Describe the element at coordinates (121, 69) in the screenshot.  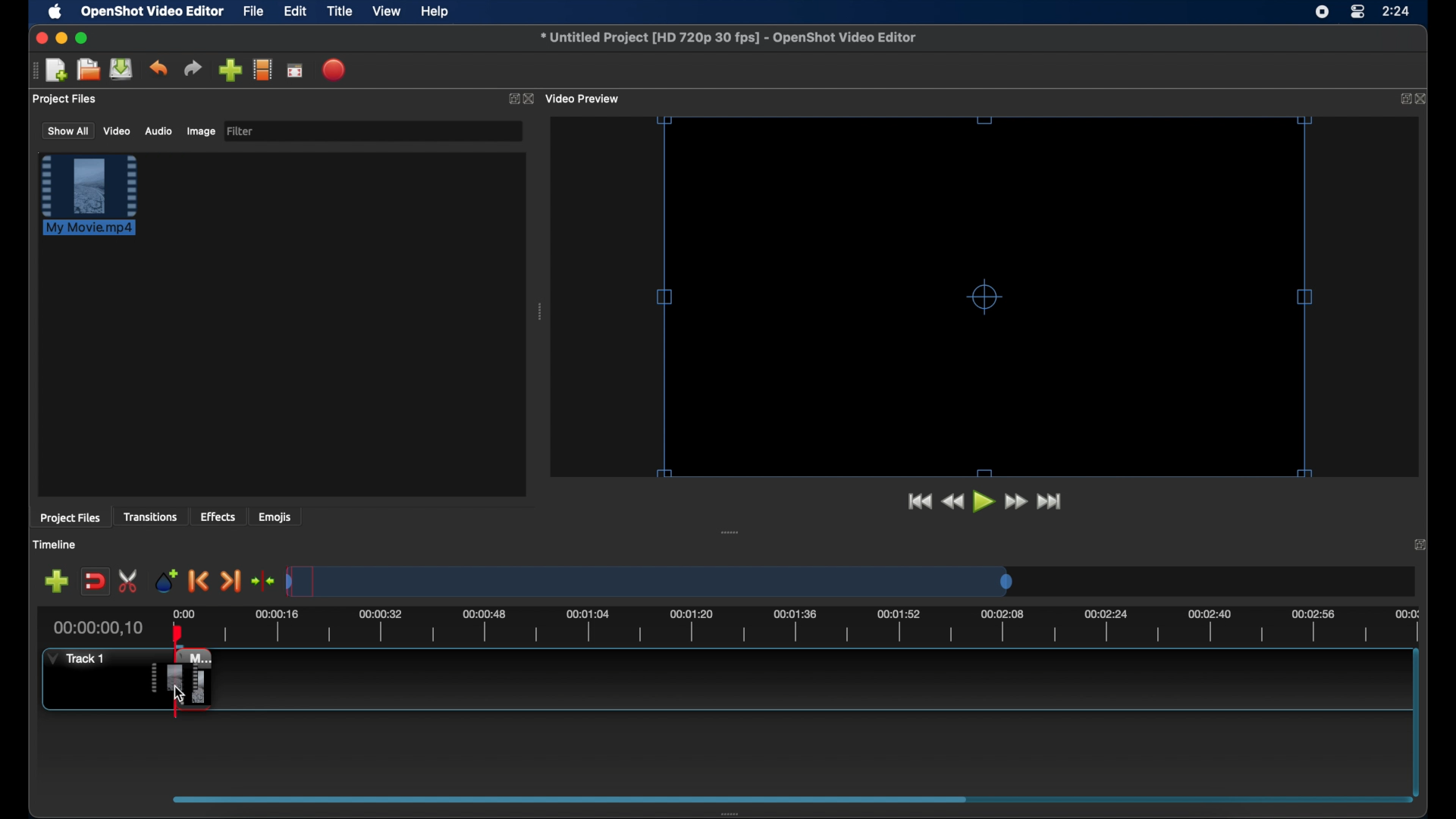
I see `save project files` at that location.